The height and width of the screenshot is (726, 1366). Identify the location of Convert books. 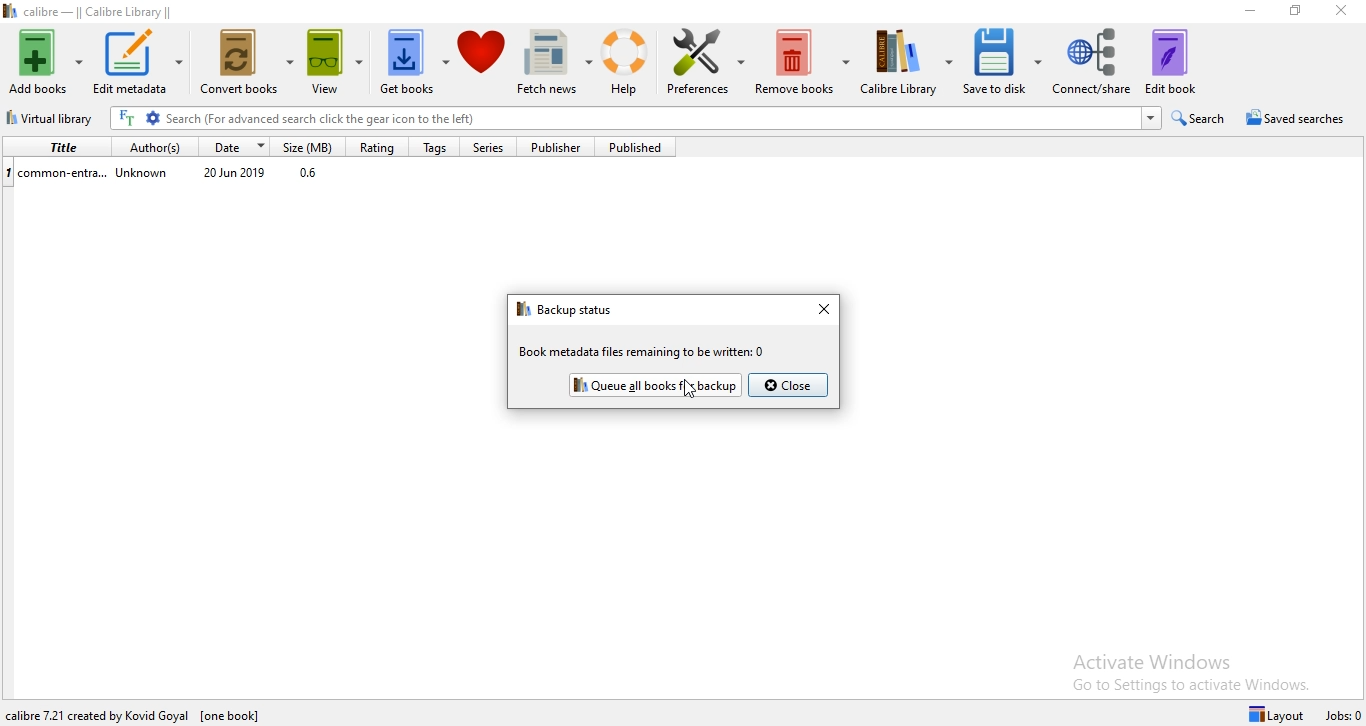
(248, 66).